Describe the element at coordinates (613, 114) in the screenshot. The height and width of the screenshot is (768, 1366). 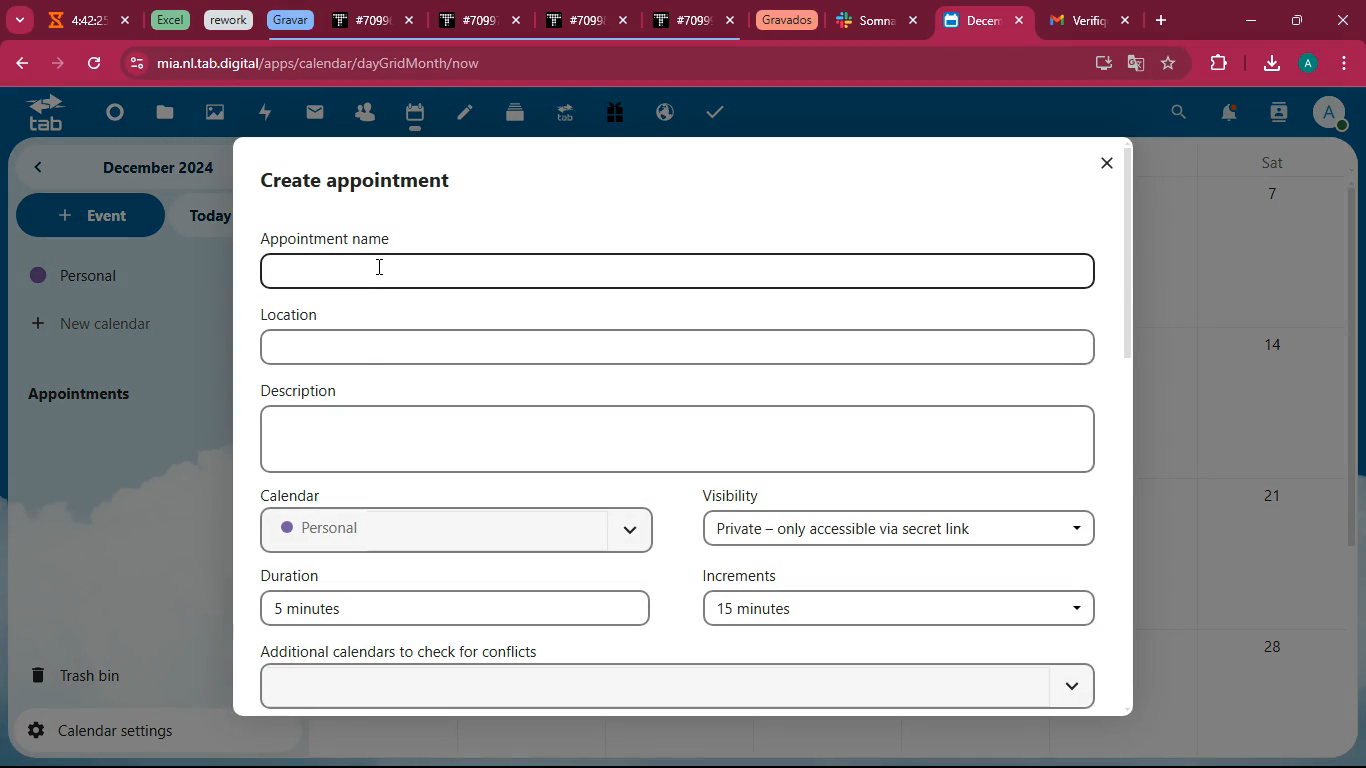
I see `gift` at that location.